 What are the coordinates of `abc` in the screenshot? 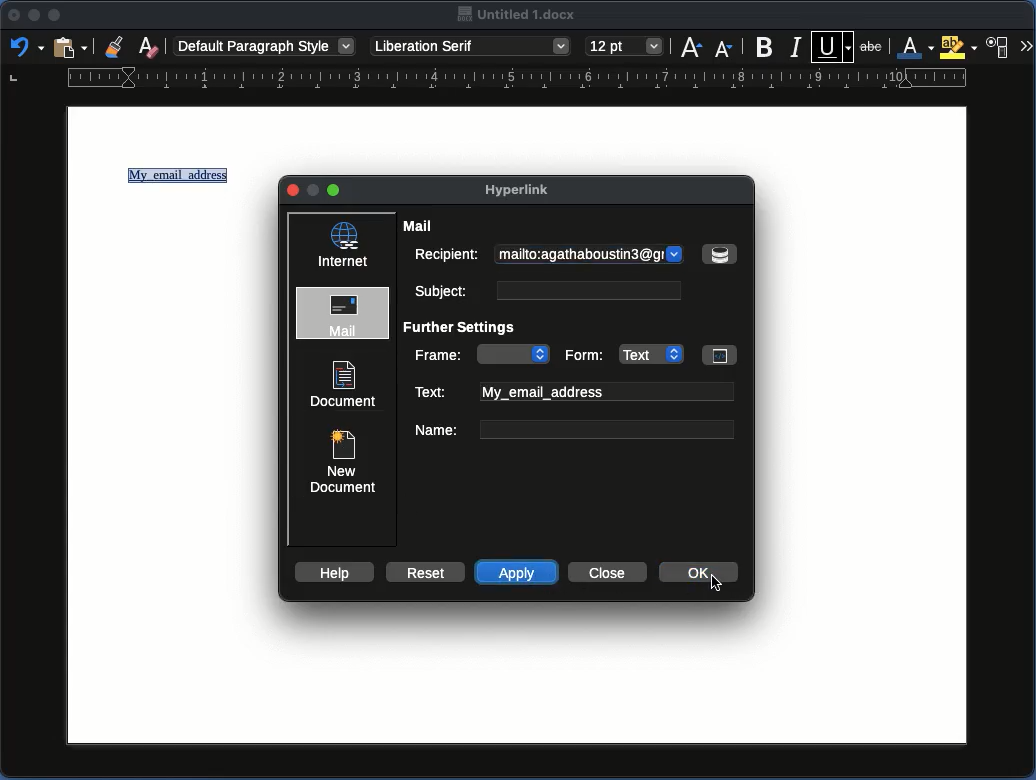 It's located at (873, 49).